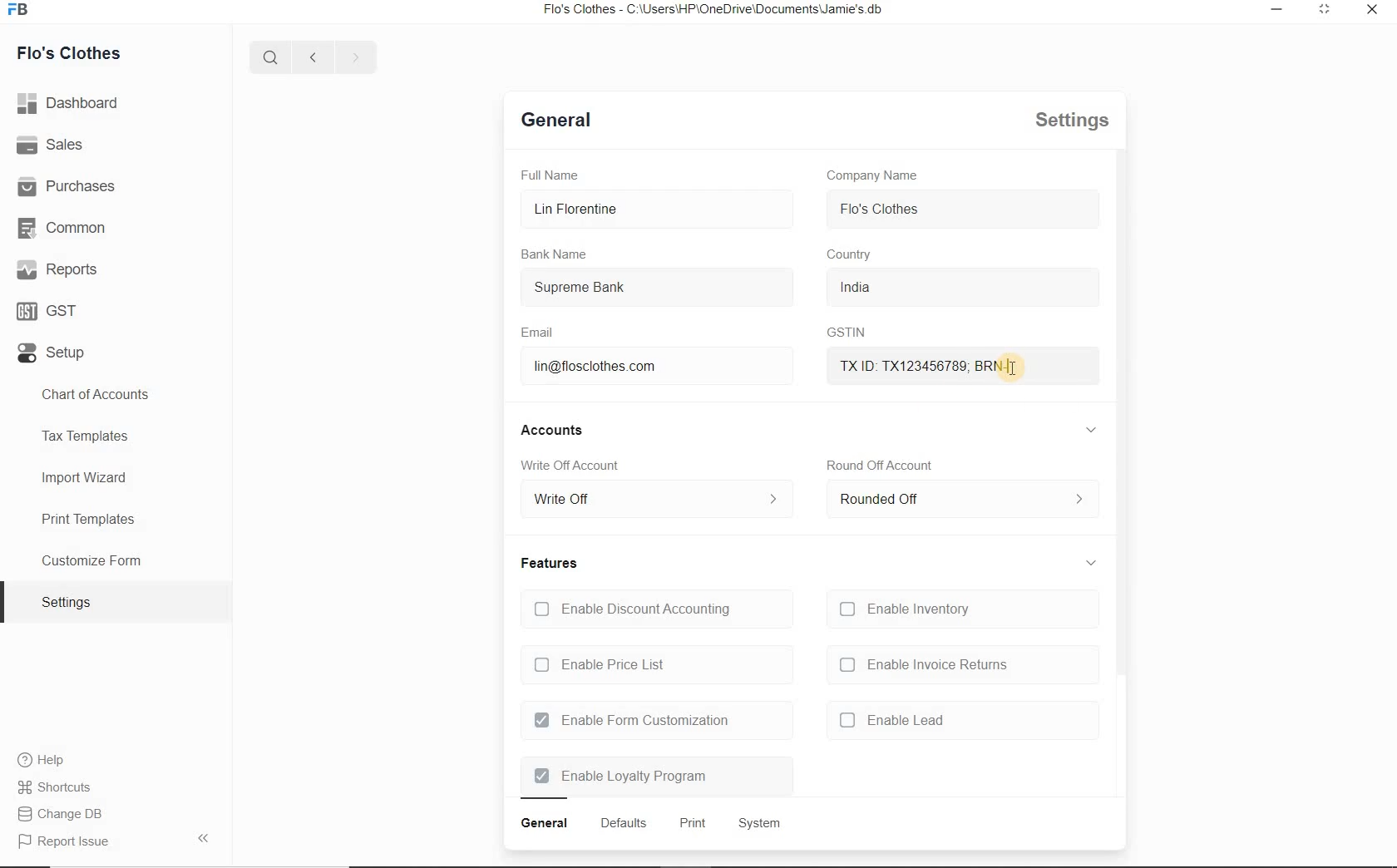 The height and width of the screenshot is (868, 1397). What do you see at coordinates (623, 823) in the screenshot?
I see `defaults` at bounding box center [623, 823].